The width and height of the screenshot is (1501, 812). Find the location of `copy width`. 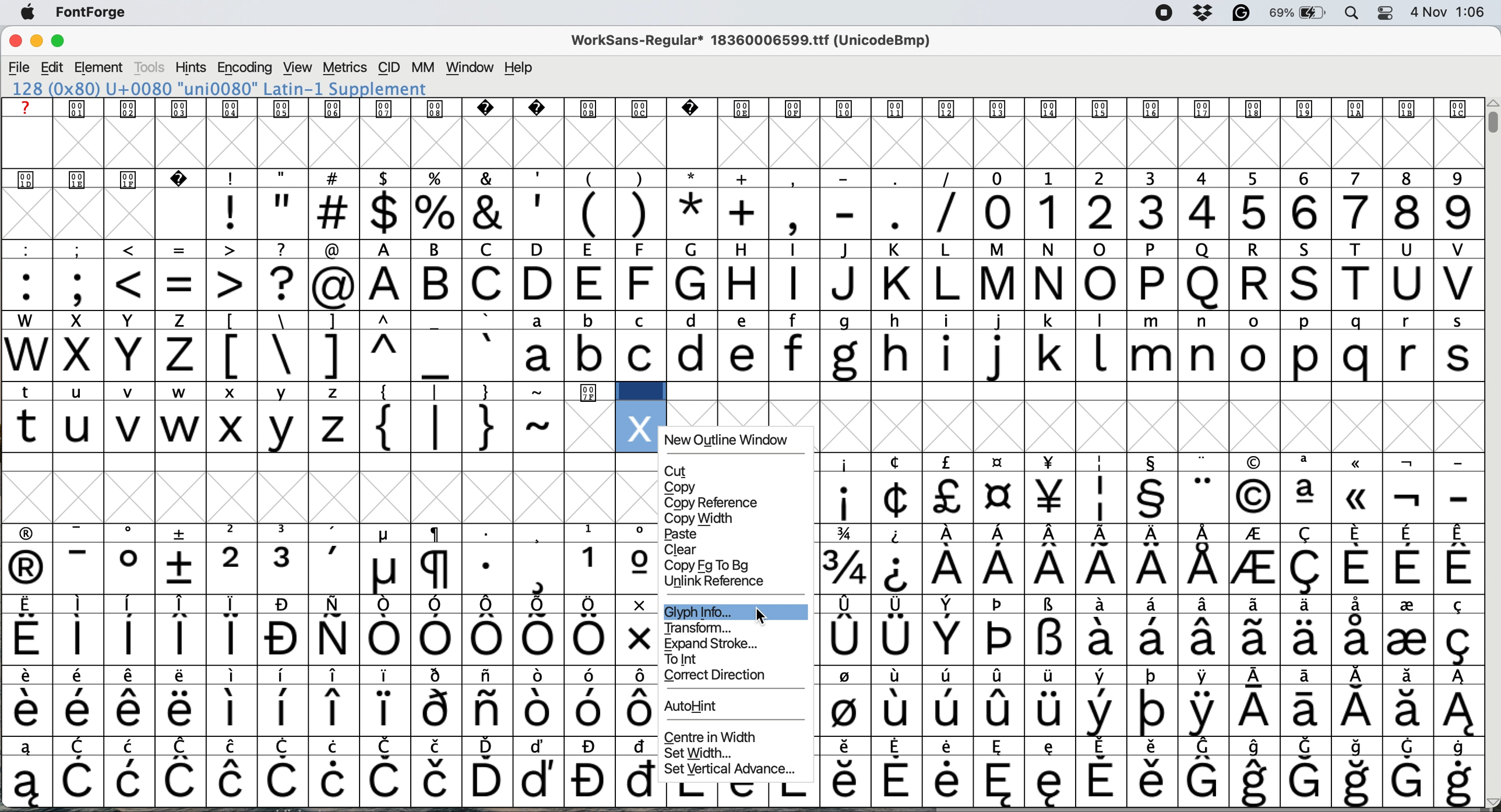

copy width is located at coordinates (704, 519).